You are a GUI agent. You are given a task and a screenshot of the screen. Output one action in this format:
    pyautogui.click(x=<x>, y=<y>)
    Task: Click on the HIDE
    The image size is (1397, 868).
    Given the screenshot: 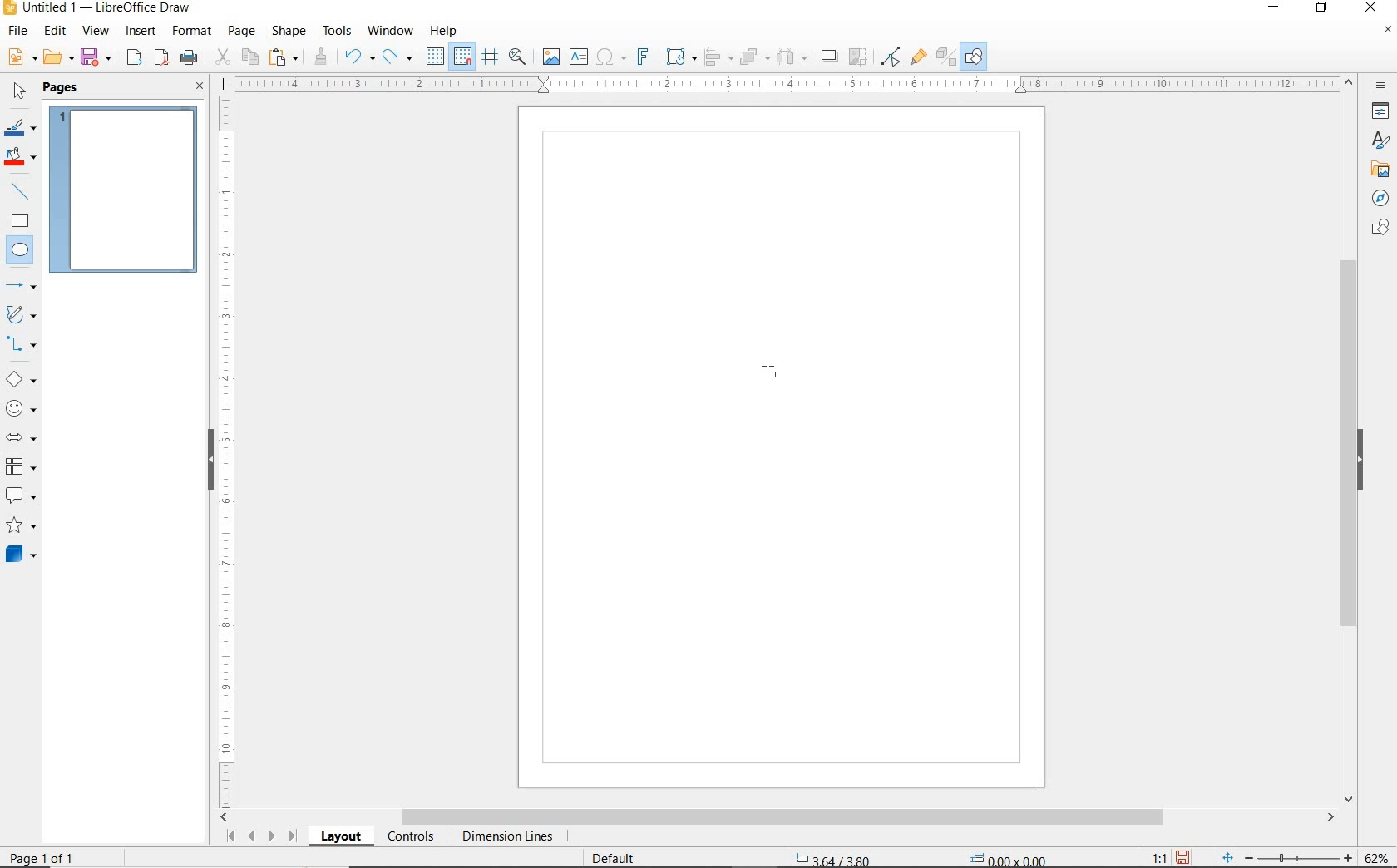 What is the action you would take?
    pyautogui.click(x=1365, y=460)
    